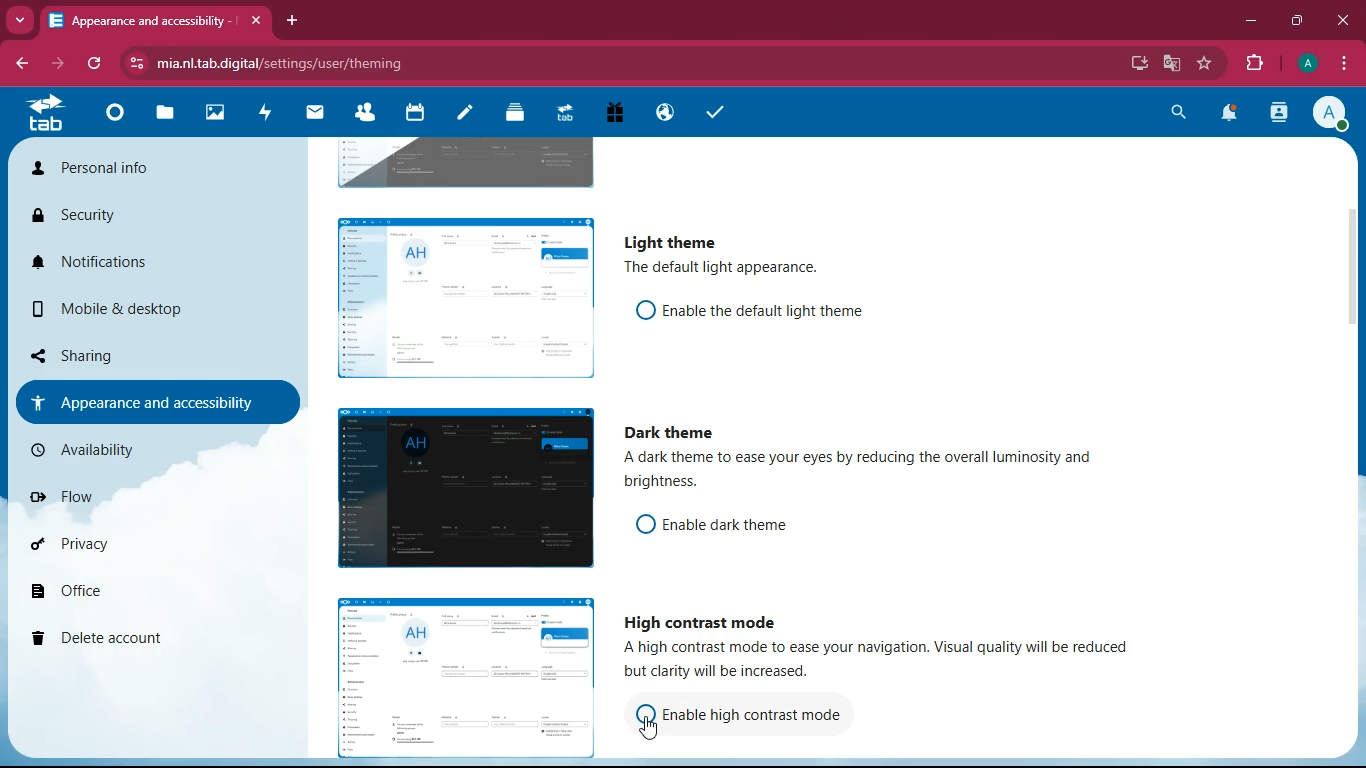 The height and width of the screenshot is (768, 1366). I want to click on desktop, so click(1140, 62).